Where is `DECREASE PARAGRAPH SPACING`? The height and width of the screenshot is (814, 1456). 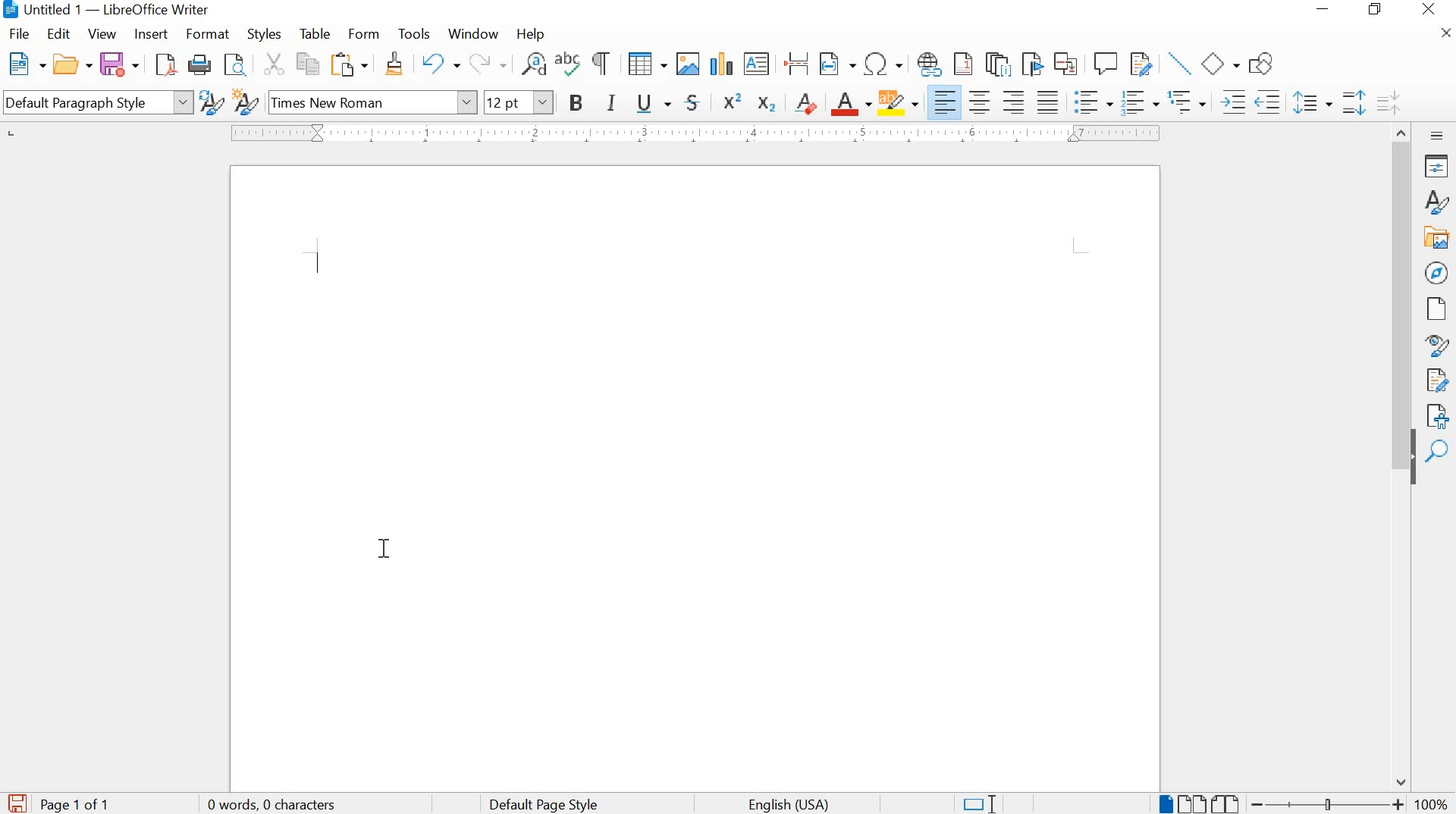 DECREASE PARAGRAPH SPACING is located at coordinates (1387, 101).